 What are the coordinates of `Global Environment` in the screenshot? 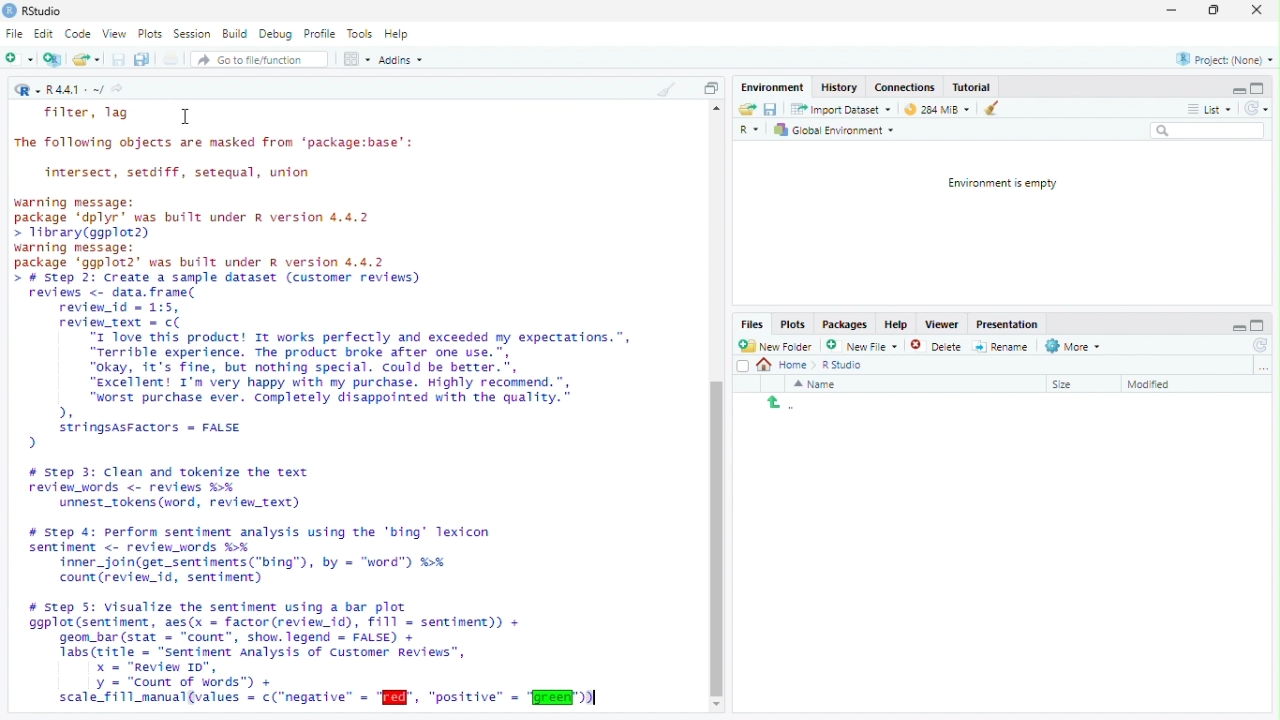 It's located at (834, 129).